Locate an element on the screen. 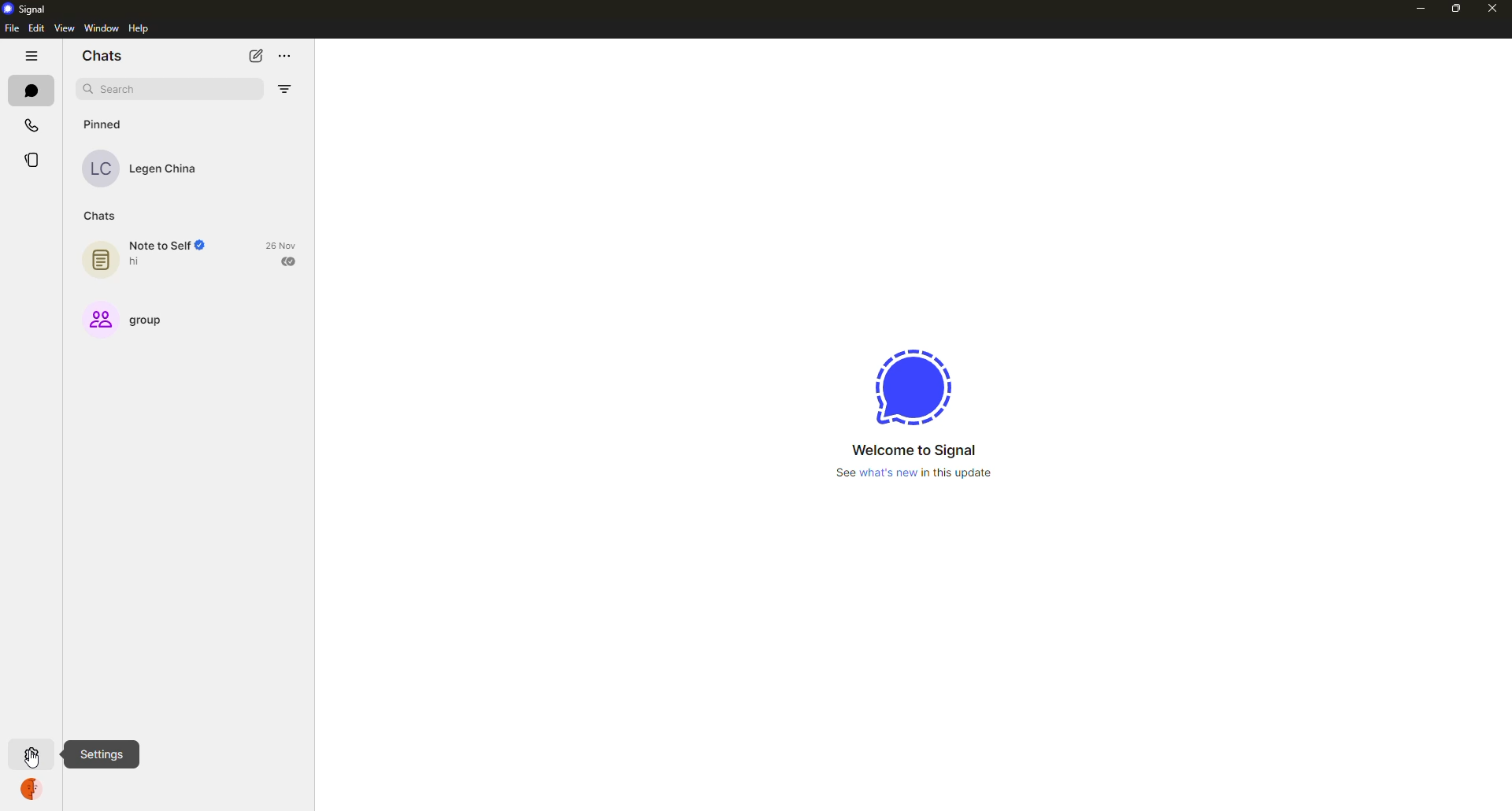 Image resolution: width=1512 pixels, height=811 pixels. calls is located at coordinates (31, 121).